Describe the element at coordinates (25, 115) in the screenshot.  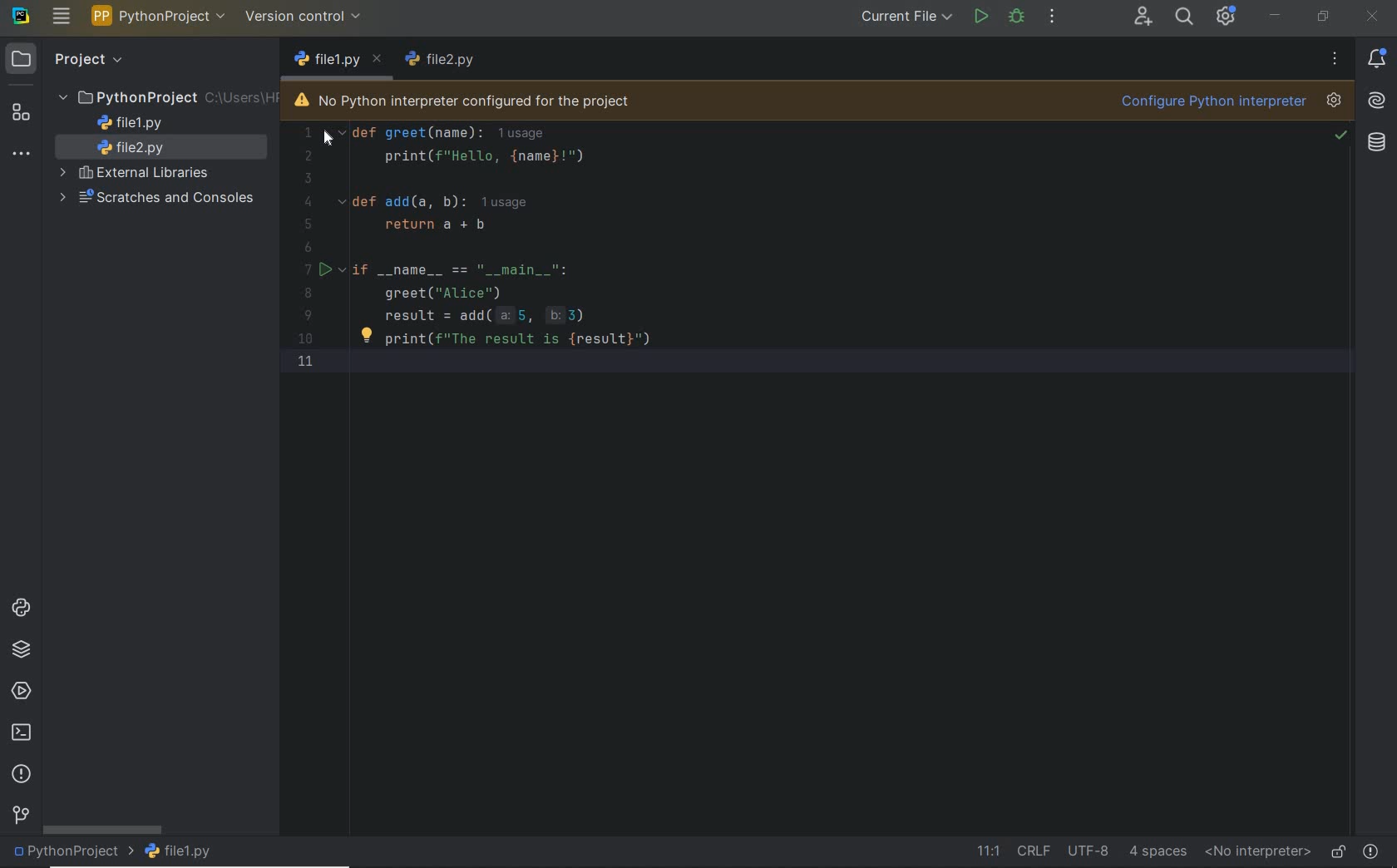
I see `structure` at that location.